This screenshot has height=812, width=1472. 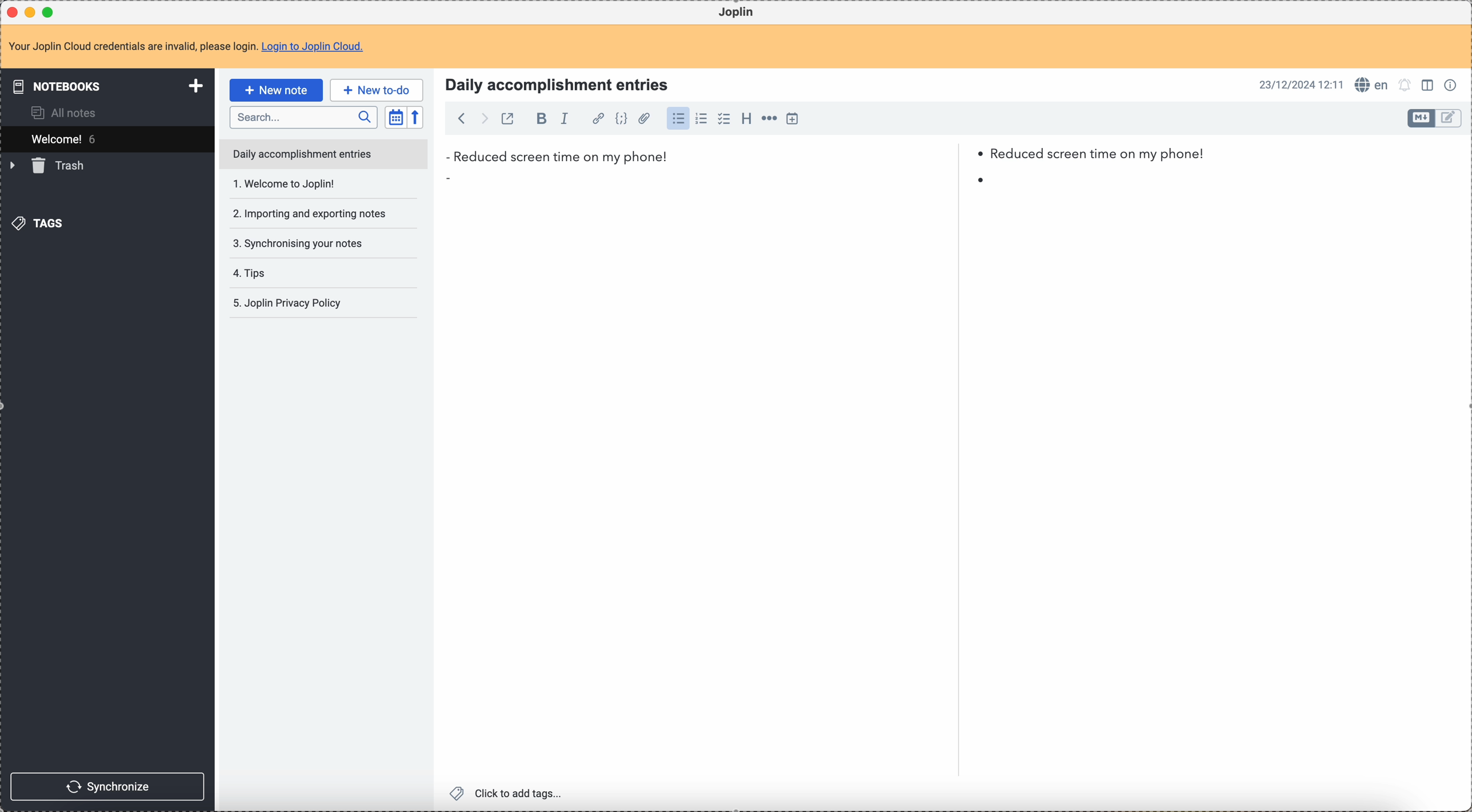 I want to click on minimize, so click(x=33, y=11).